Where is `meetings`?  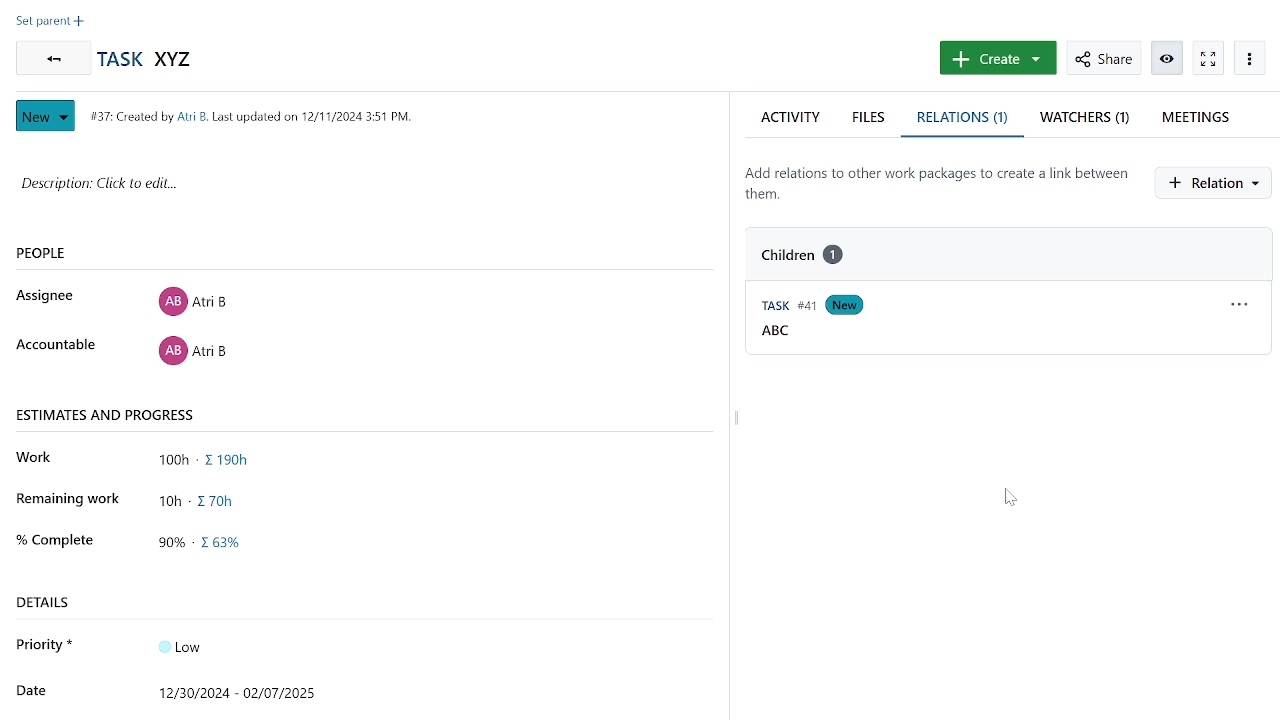 meetings is located at coordinates (1203, 117).